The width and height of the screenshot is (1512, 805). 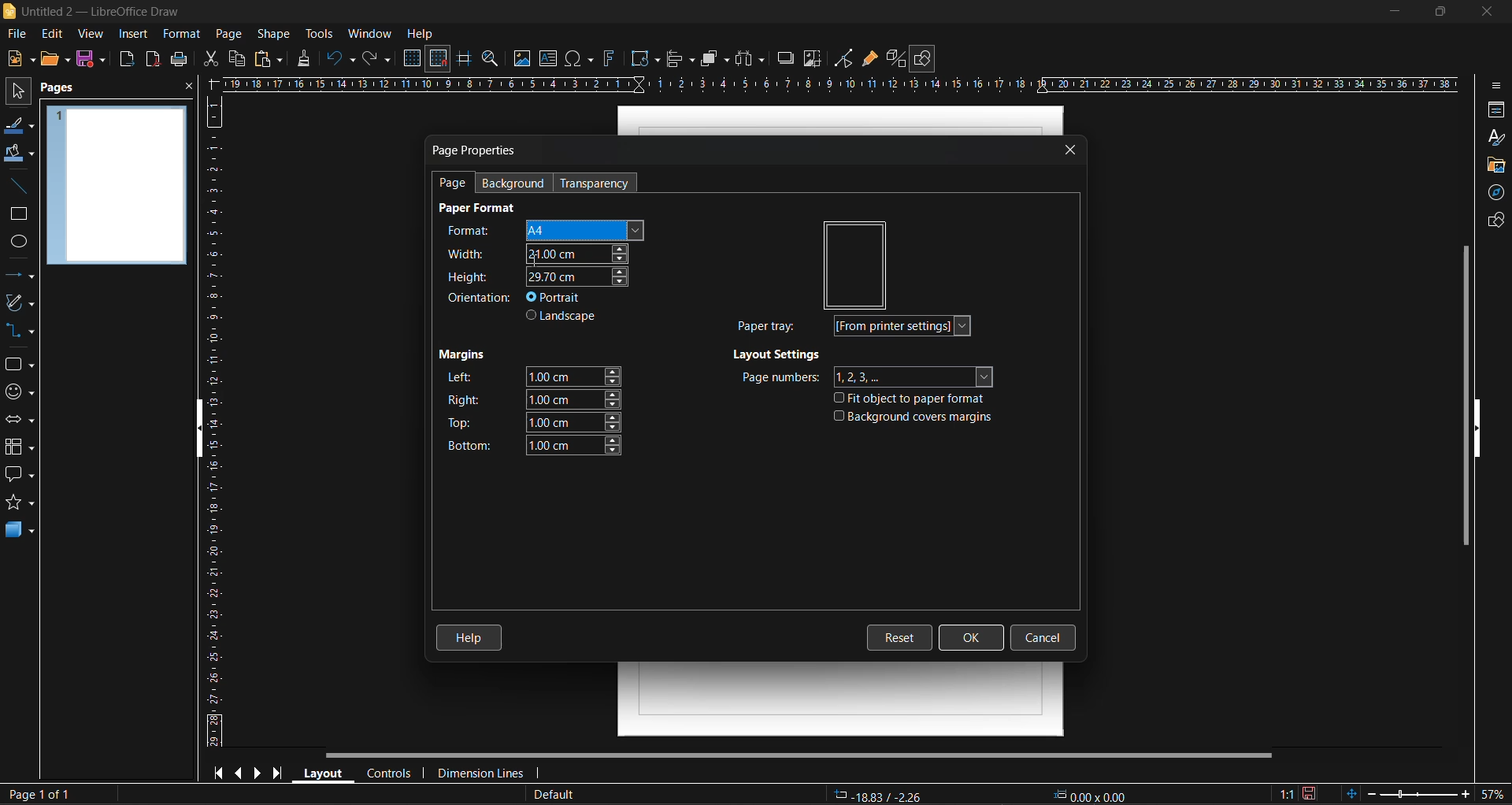 What do you see at coordinates (38, 792) in the screenshot?
I see `page number` at bounding box center [38, 792].